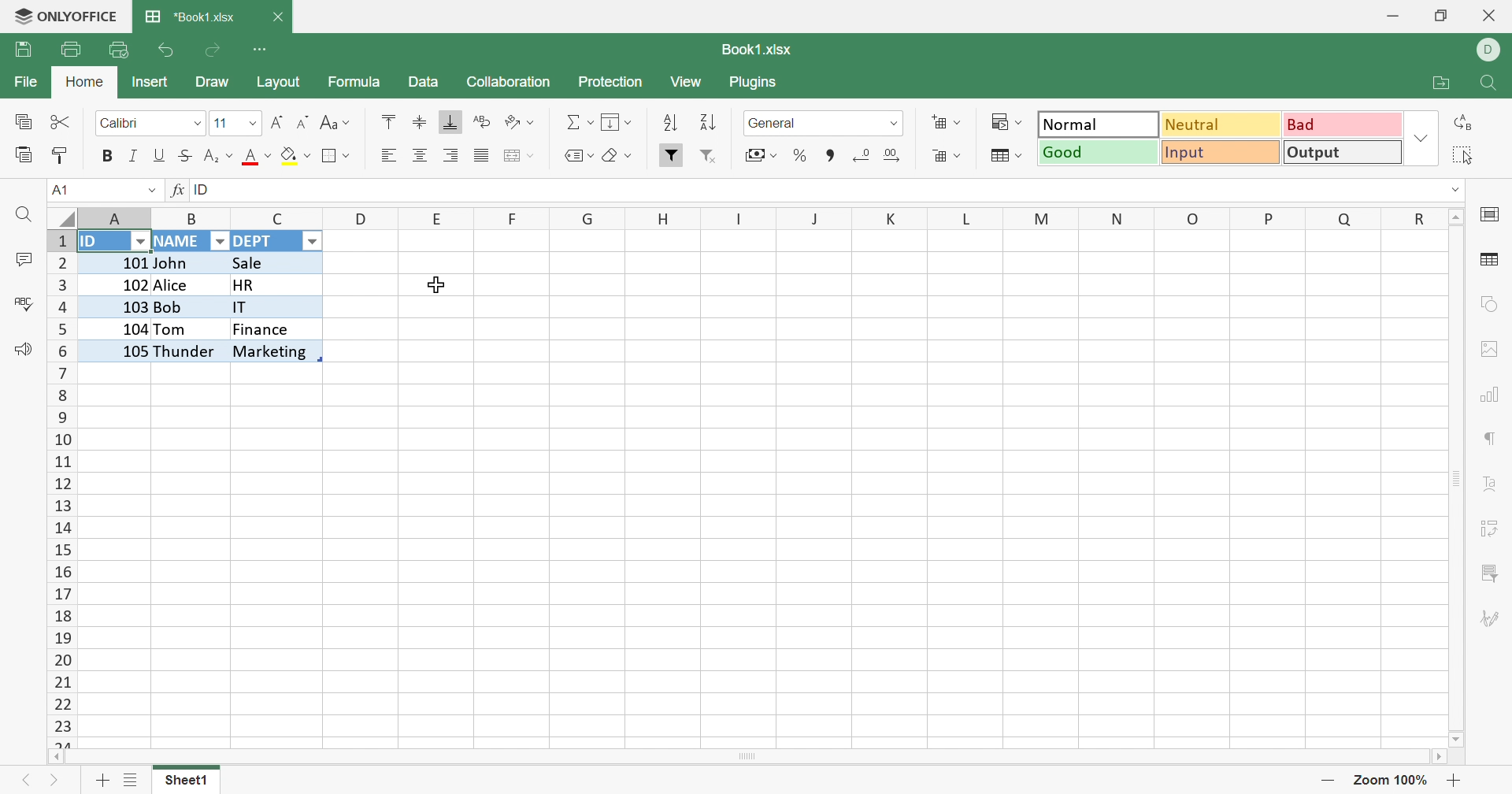 The image size is (1512, 794). What do you see at coordinates (749, 756) in the screenshot?
I see `Scroll Bar` at bounding box center [749, 756].